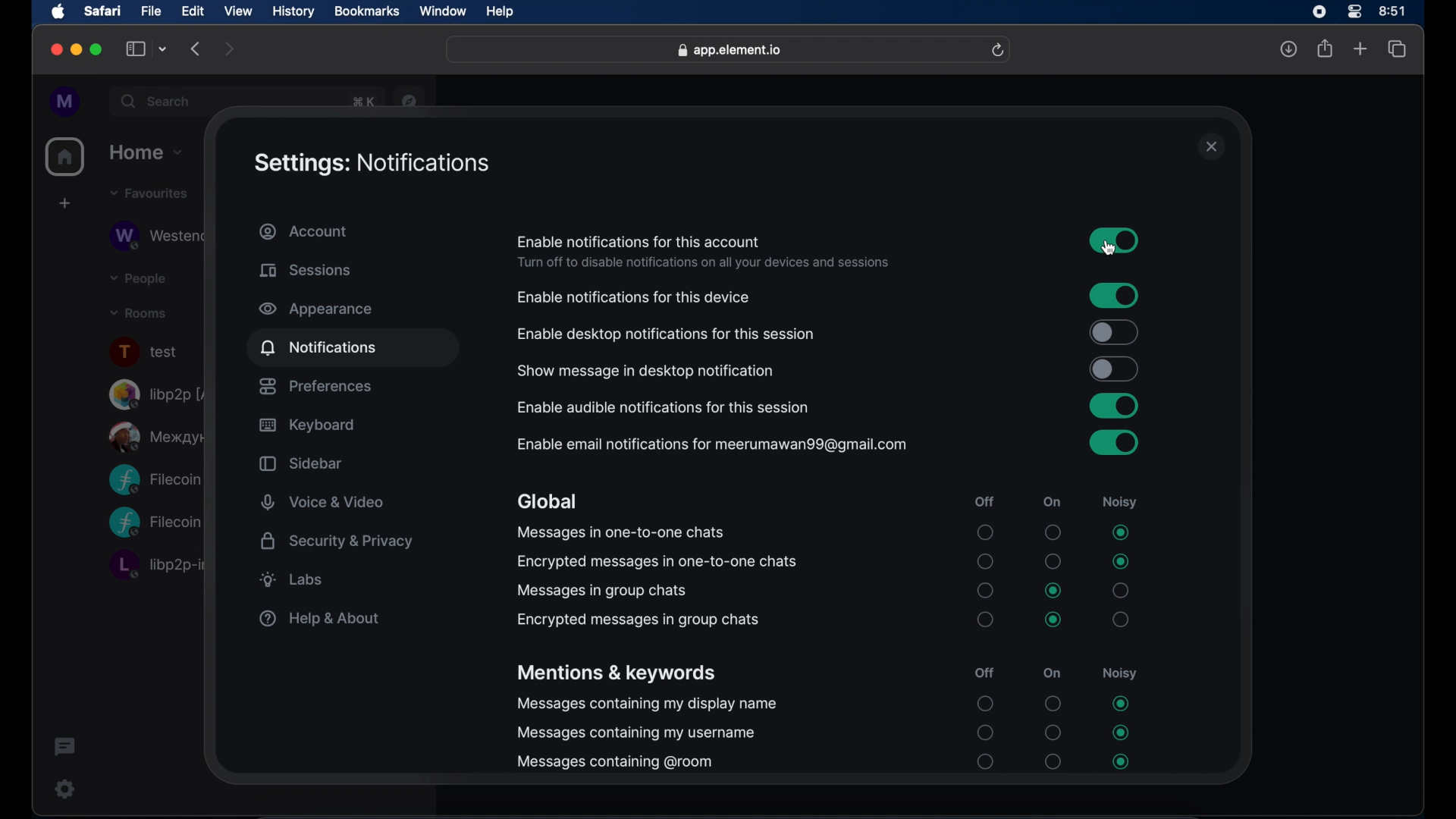  What do you see at coordinates (601, 591) in the screenshot?
I see `messages in group chats` at bounding box center [601, 591].